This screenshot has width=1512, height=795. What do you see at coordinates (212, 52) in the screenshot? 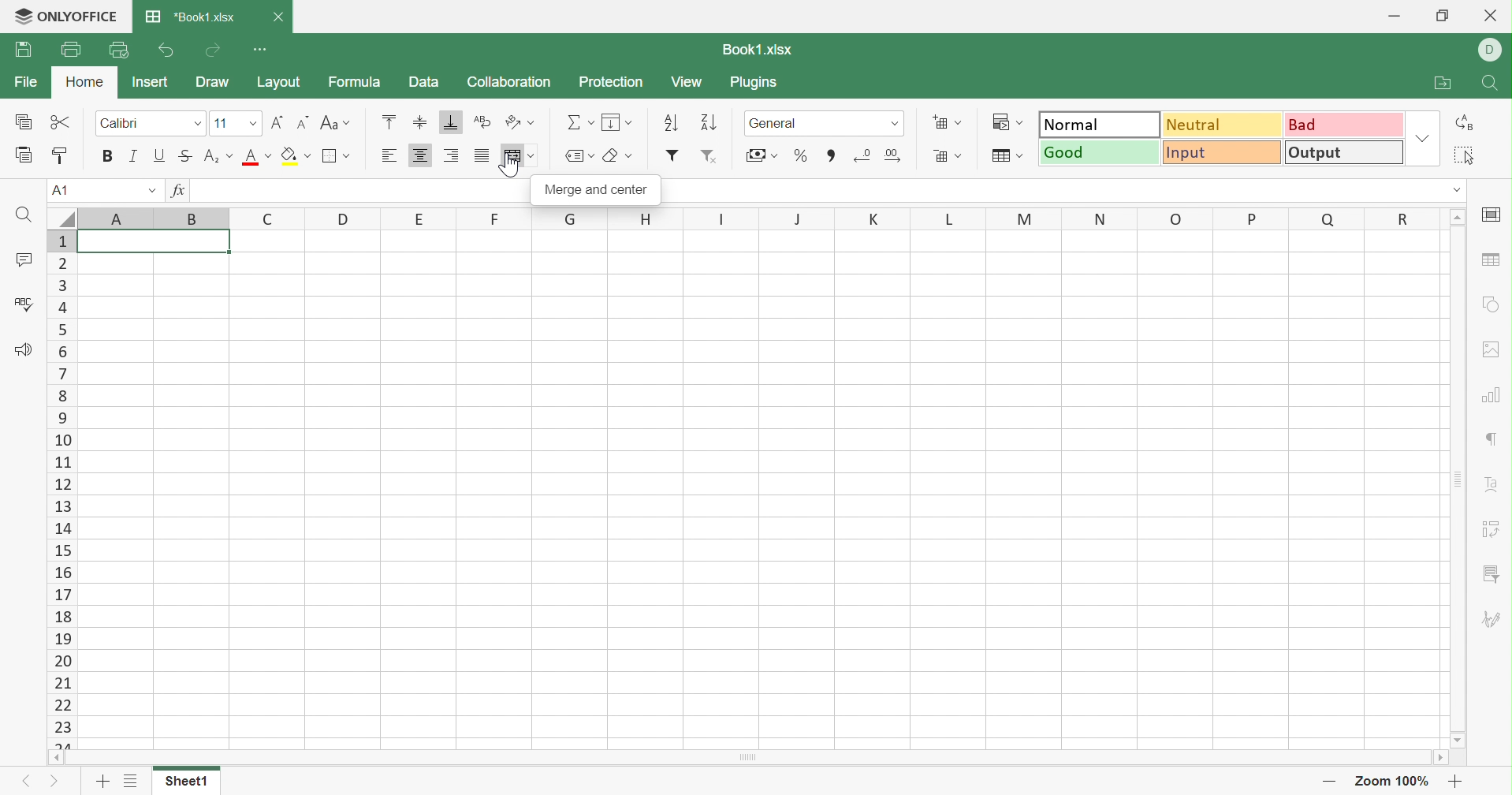
I see `Redo` at bounding box center [212, 52].